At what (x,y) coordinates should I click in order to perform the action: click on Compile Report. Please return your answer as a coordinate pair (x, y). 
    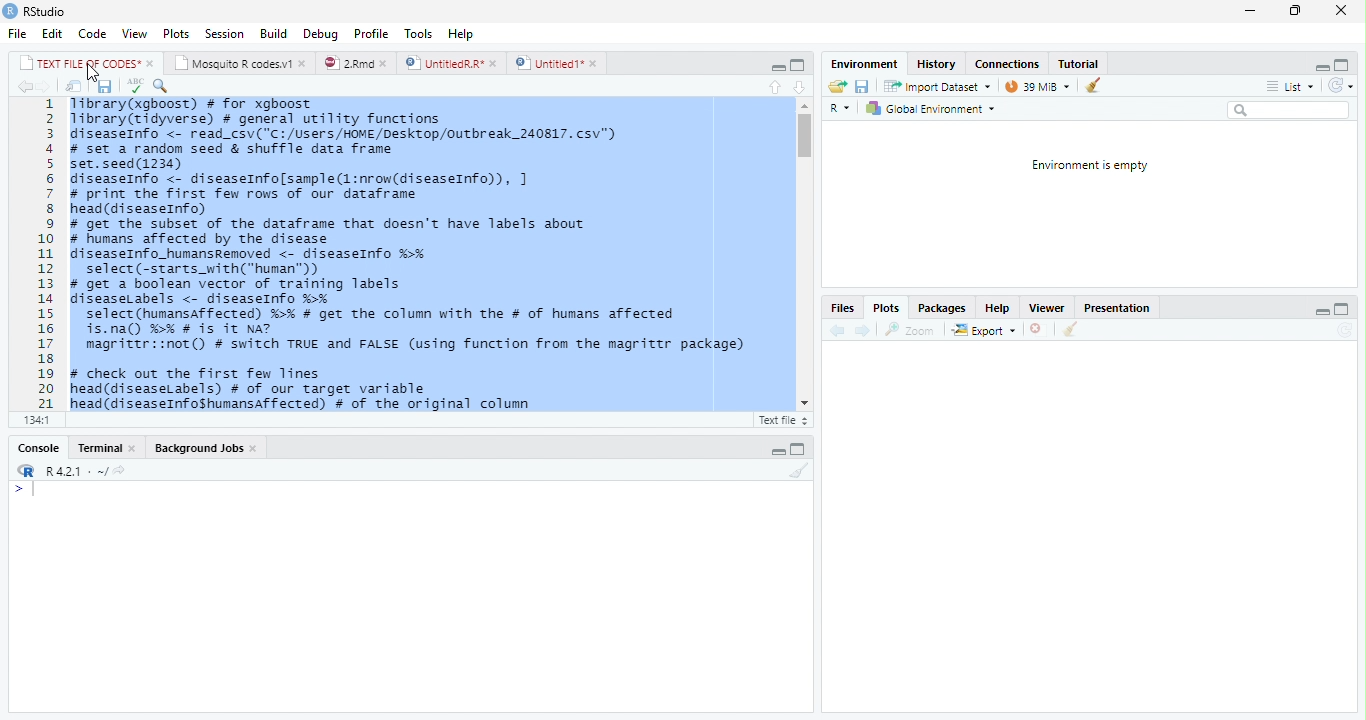
    Looking at the image, I should click on (301, 85).